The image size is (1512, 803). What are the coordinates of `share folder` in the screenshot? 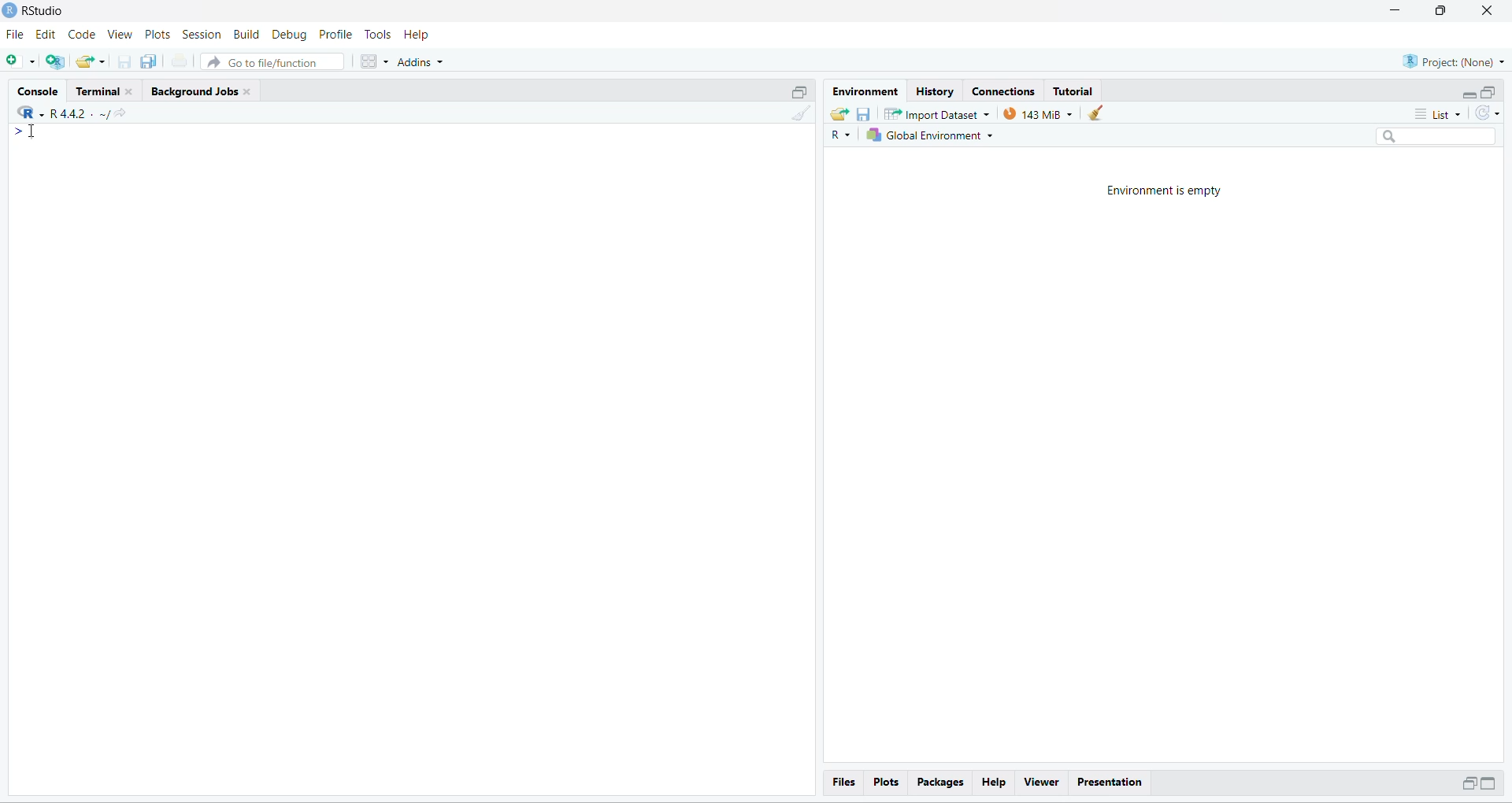 It's located at (839, 115).